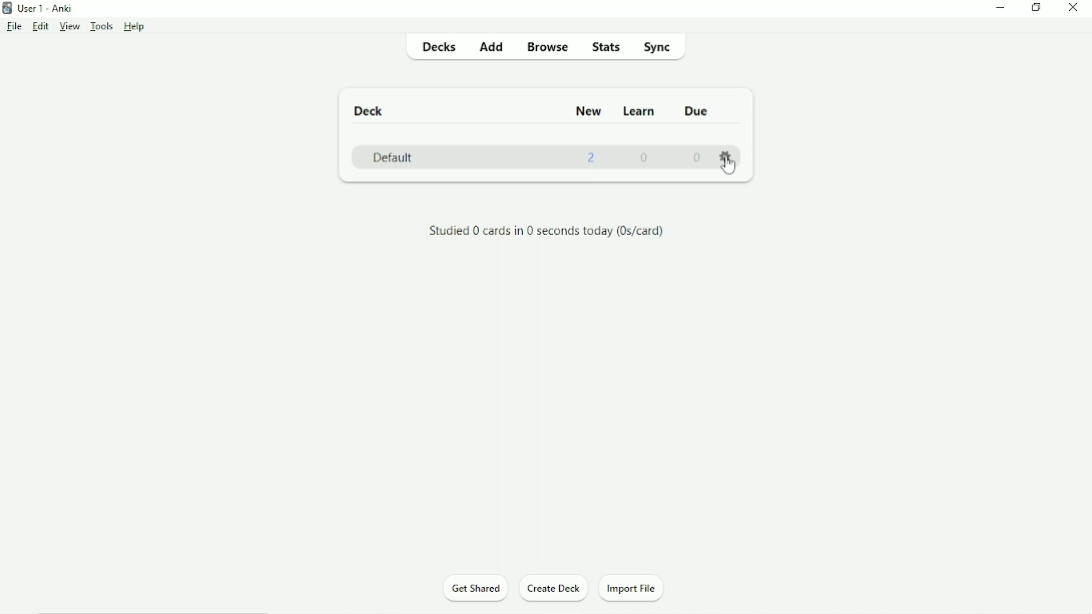  What do you see at coordinates (730, 170) in the screenshot?
I see `Cursor` at bounding box center [730, 170].